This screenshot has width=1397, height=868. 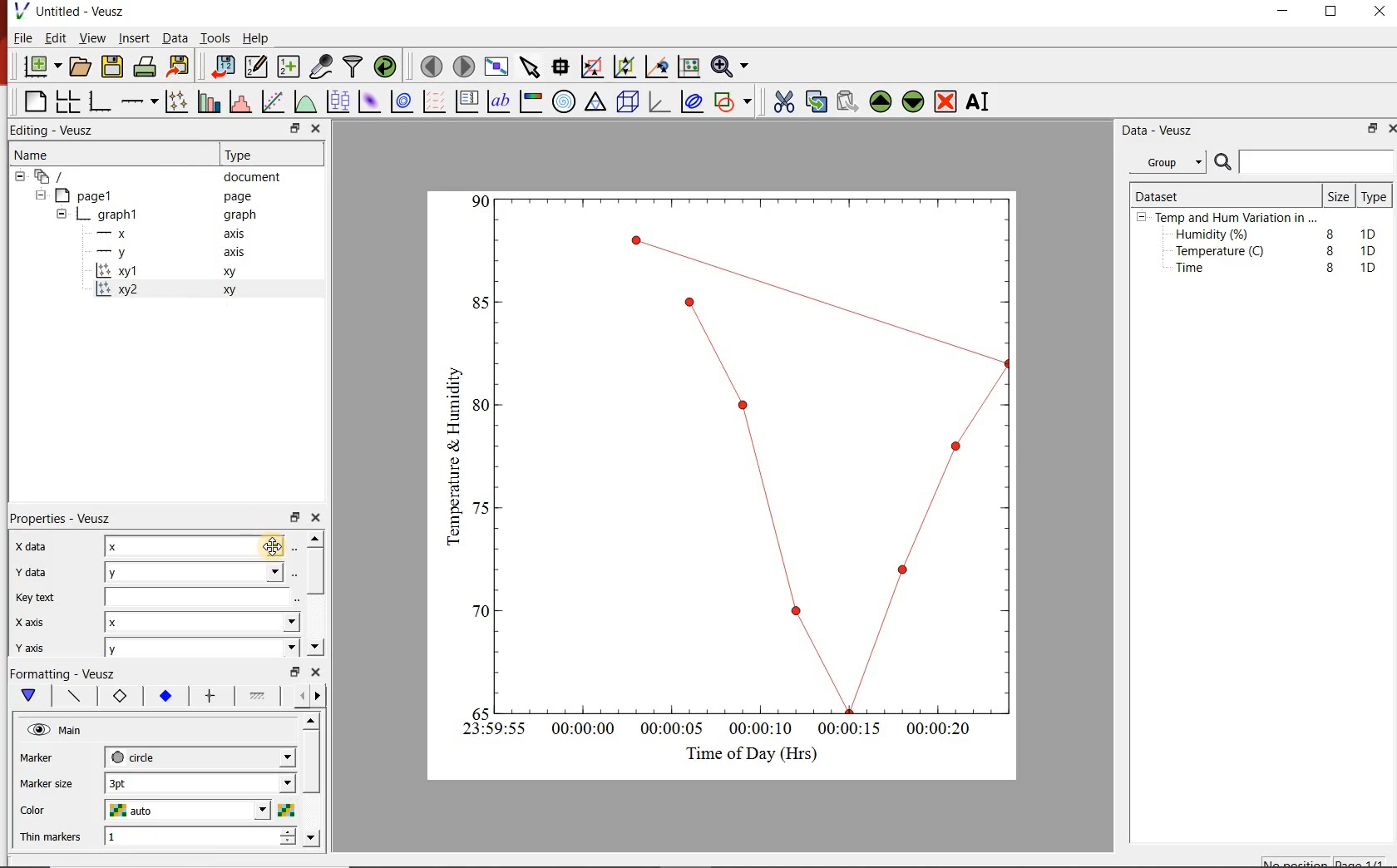 What do you see at coordinates (81, 67) in the screenshot?
I see `open a document` at bounding box center [81, 67].